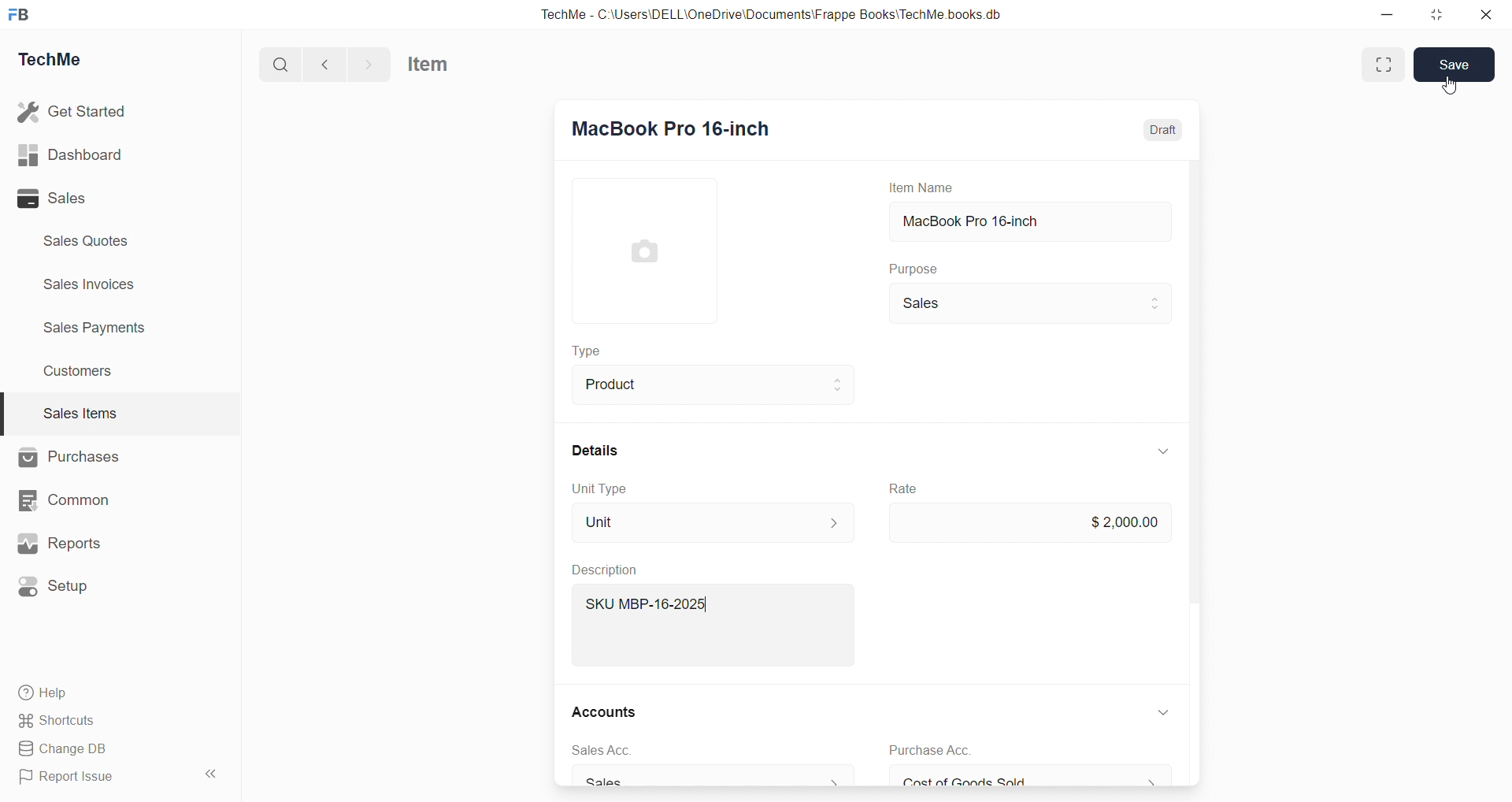  What do you see at coordinates (73, 112) in the screenshot?
I see `Get Started` at bounding box center [73, 112].